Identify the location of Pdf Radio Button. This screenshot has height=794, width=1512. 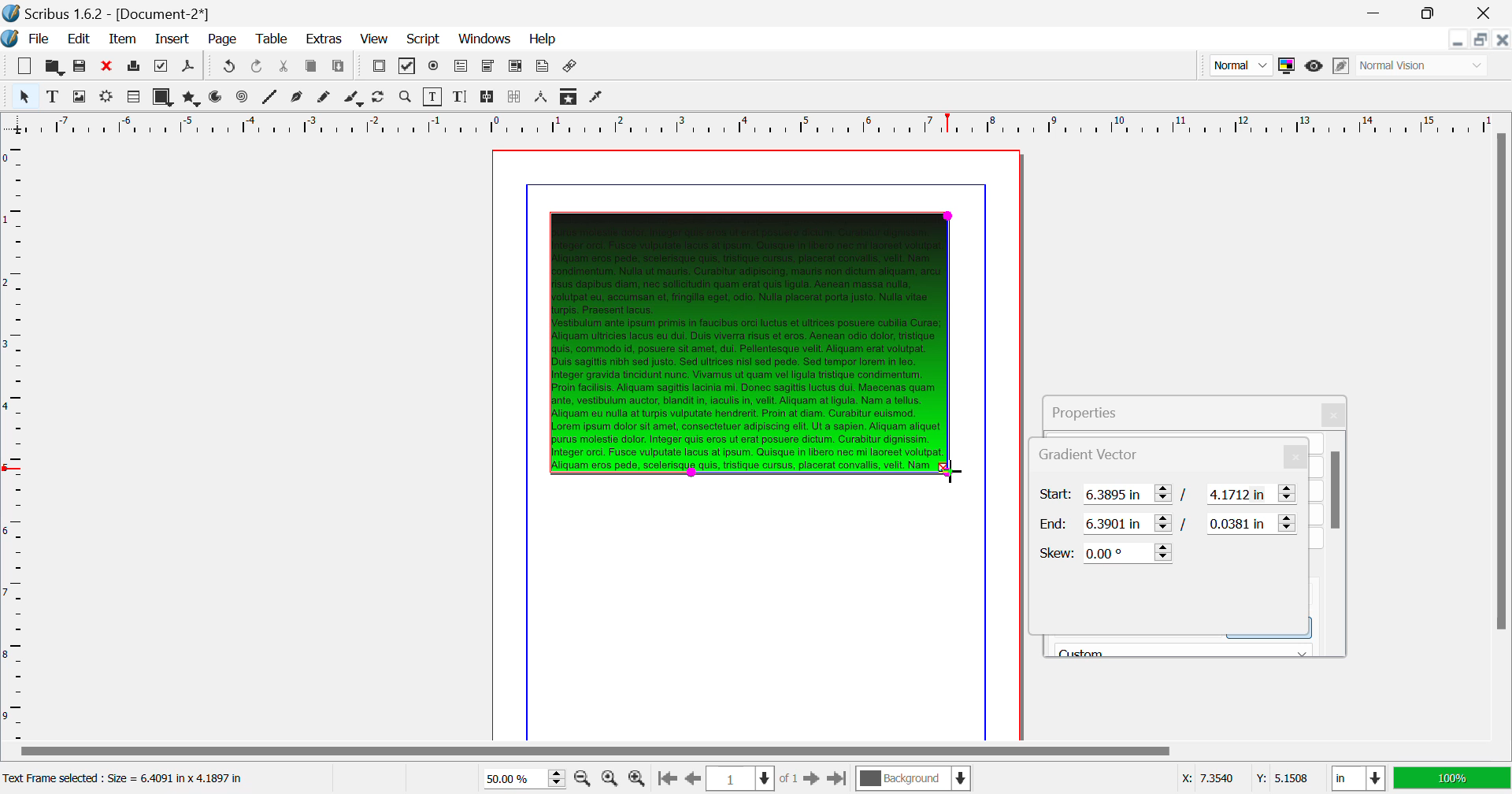
(434, 68).